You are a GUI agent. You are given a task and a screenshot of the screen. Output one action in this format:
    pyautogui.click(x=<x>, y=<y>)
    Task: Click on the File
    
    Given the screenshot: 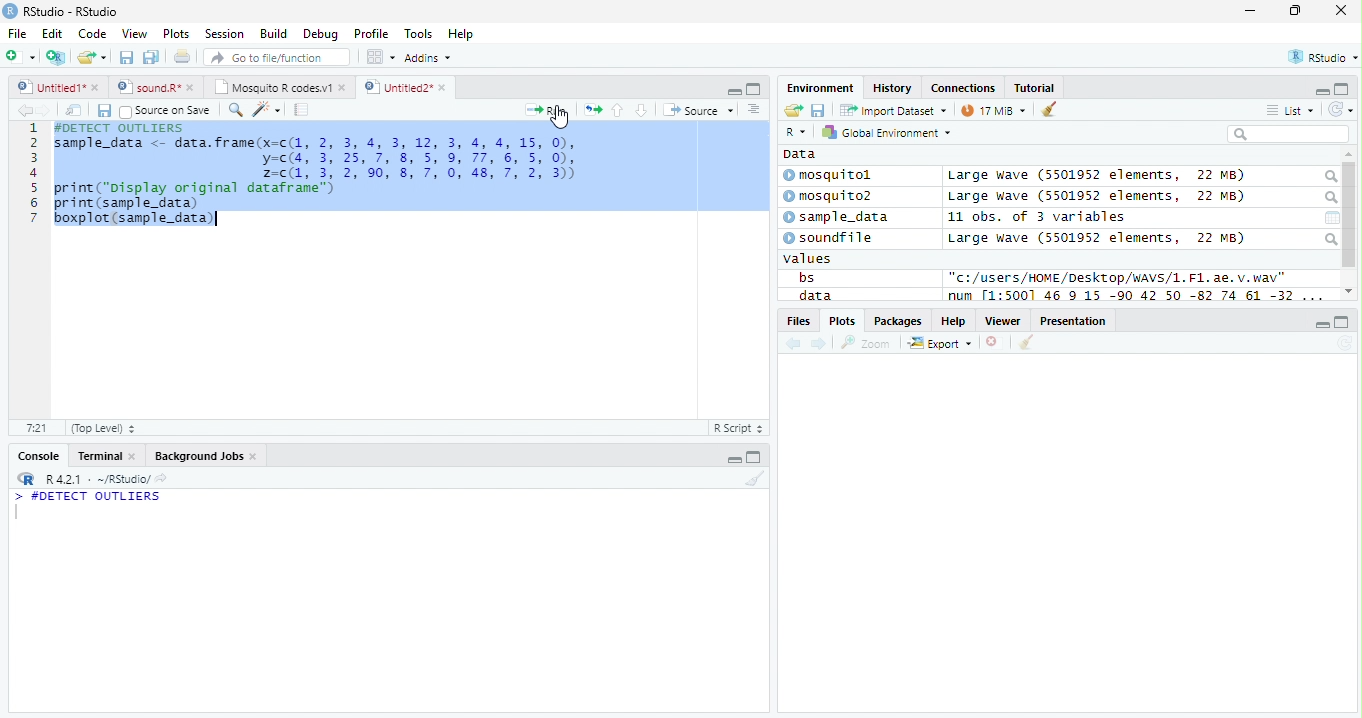 What is the action you would take?
    pyautogui.click(x=18, y=34)
    